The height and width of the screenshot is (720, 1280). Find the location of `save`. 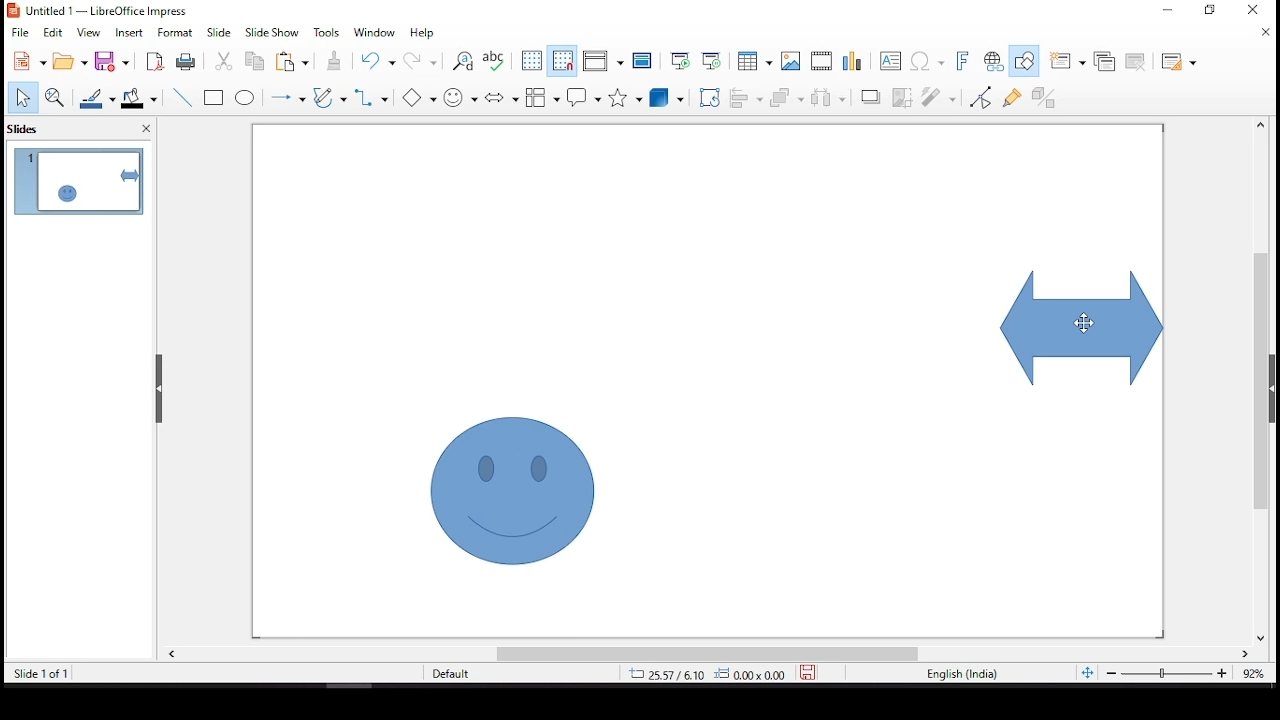

save is located at coordinates (115, 62).